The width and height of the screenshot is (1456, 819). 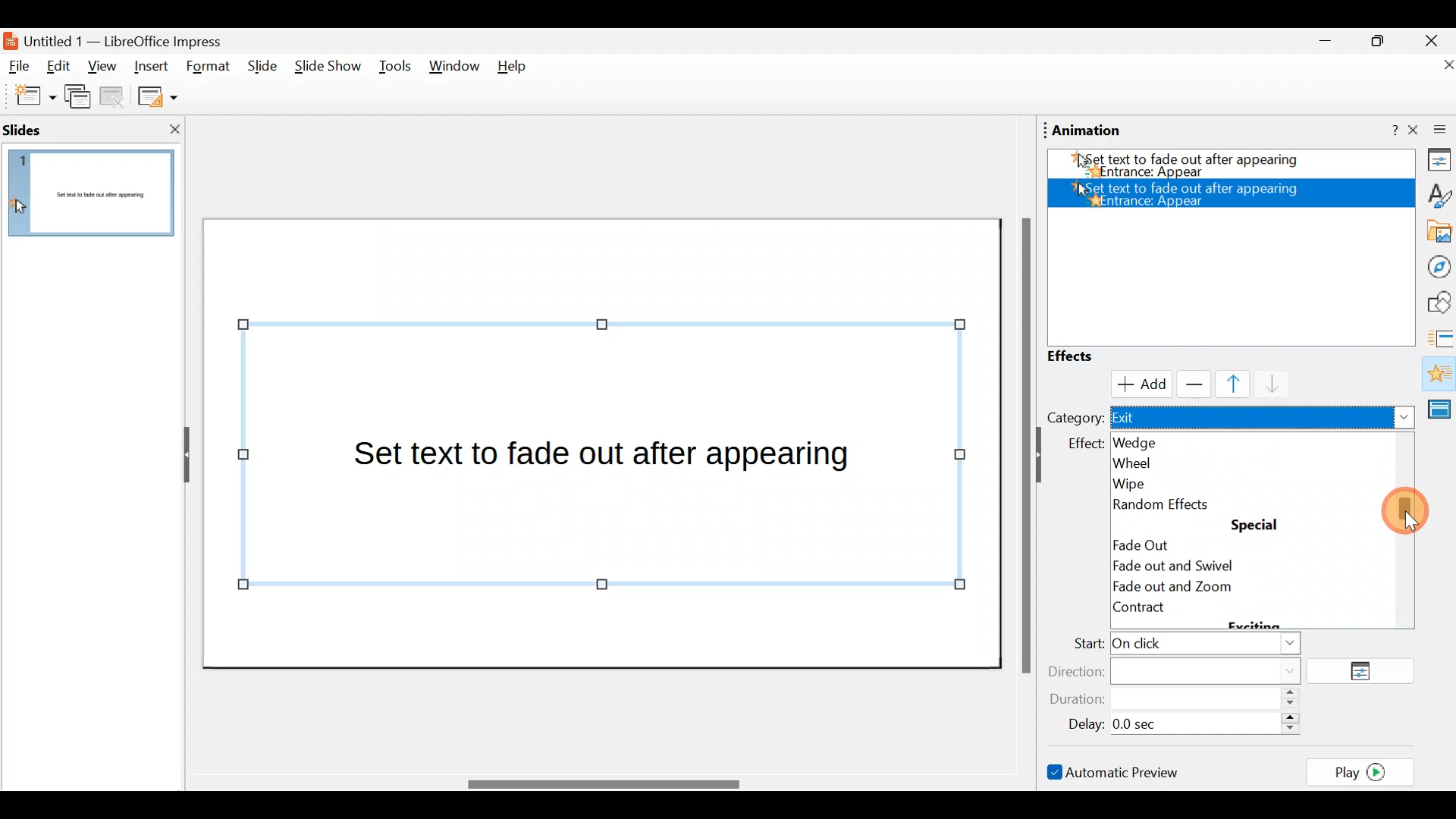 What do you see at coordinates (601, 784) in the screenshot?
I see `Scroll bar` at bounding box center [601, 784].